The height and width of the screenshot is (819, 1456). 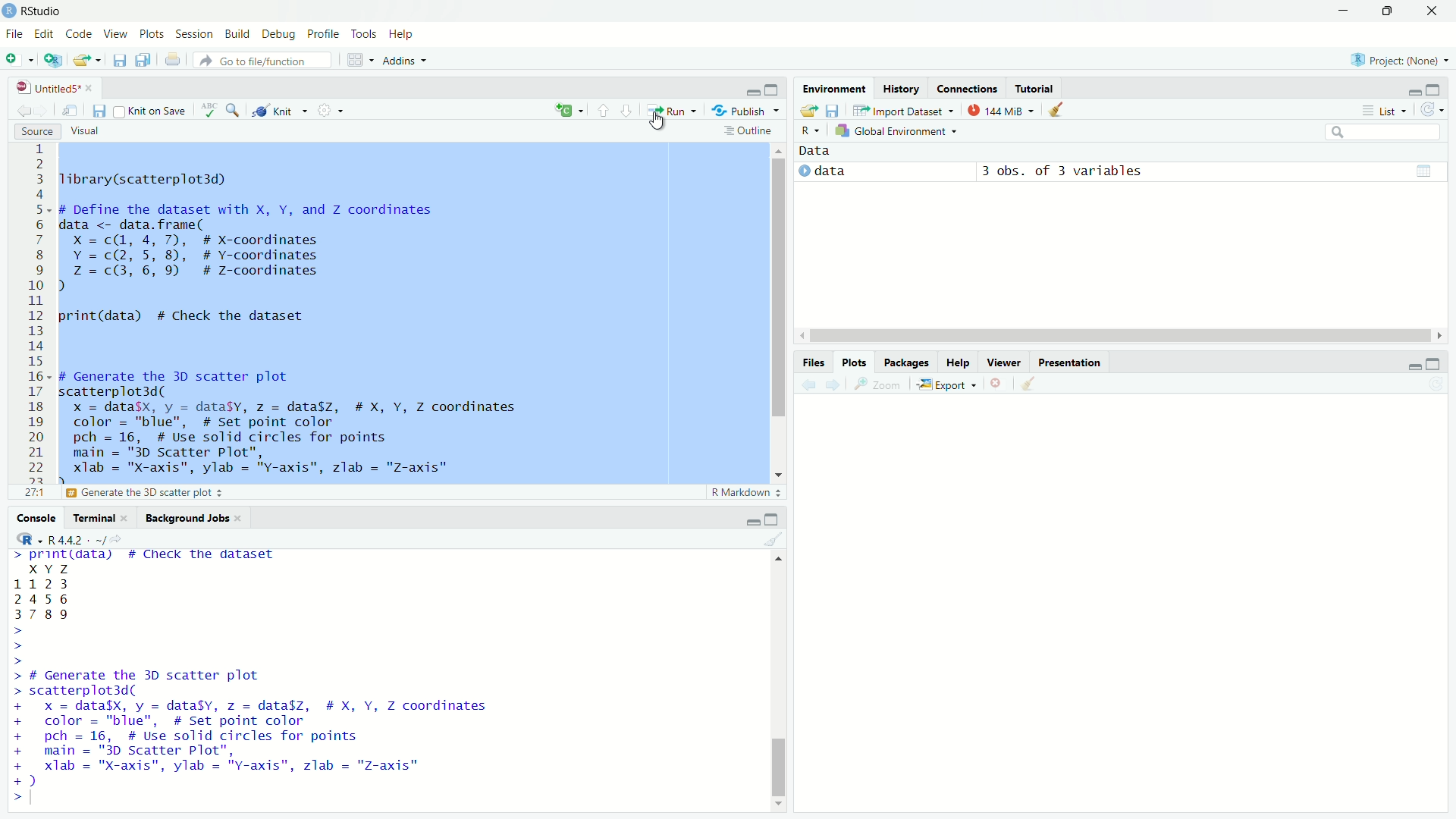 What do you see at coordinates (127, 519) in the screenshot?
I see `close` at bounding box center [127, 519].